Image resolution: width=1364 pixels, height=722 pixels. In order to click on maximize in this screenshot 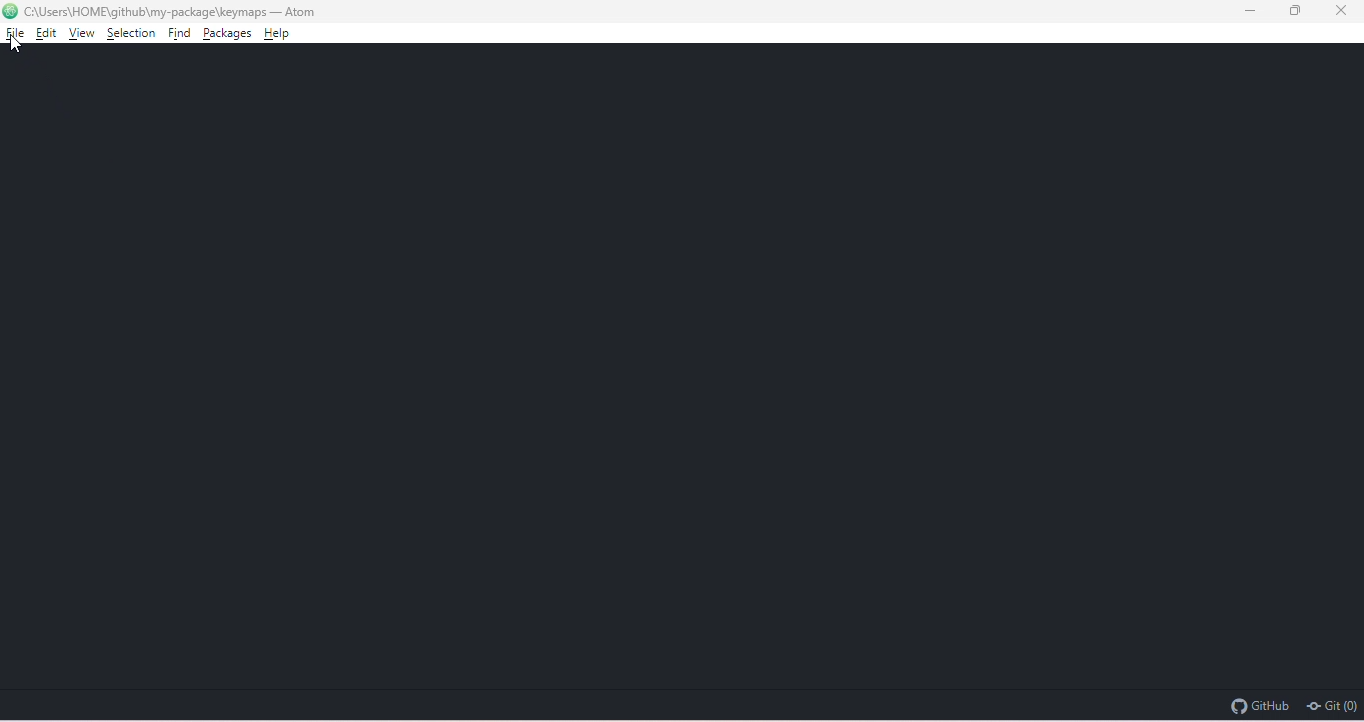, I will do `click(1300, 12)`.